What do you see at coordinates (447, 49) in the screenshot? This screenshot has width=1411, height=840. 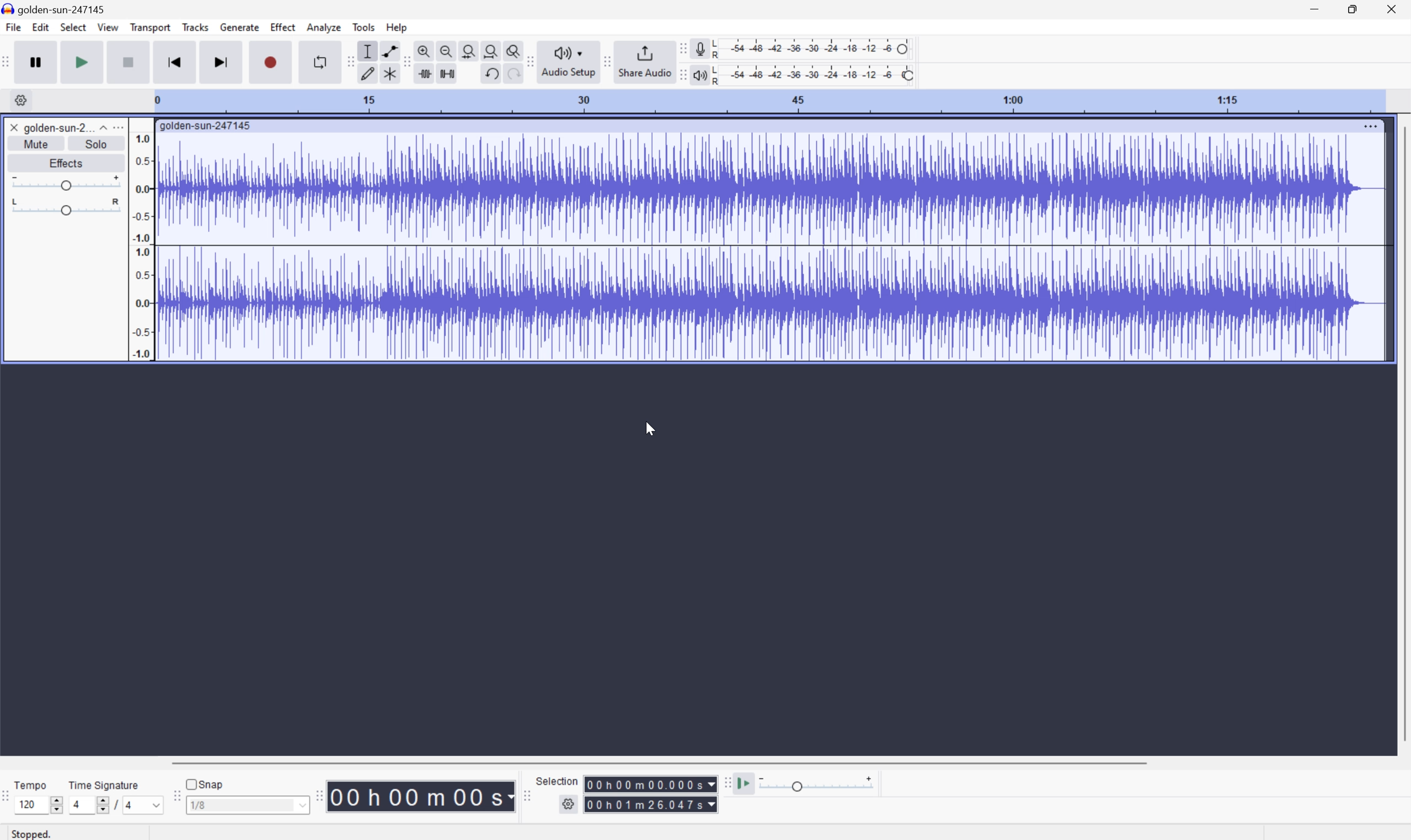 I see `Zoom out` at bounding box center [447, 49].